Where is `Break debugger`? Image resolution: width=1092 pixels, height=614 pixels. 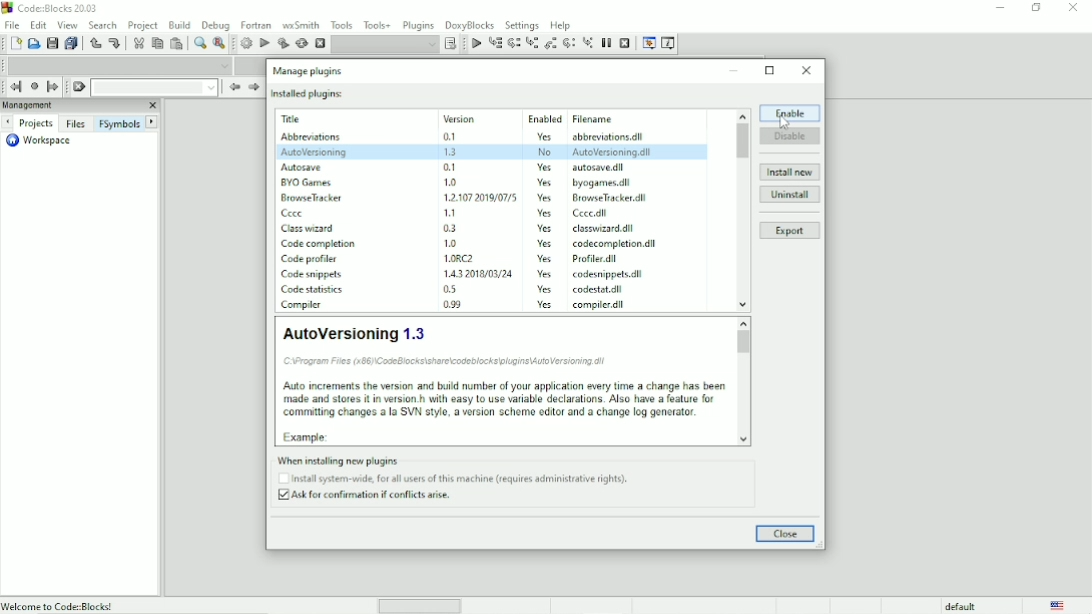 Break debugger is located at coordinates (606, 43).